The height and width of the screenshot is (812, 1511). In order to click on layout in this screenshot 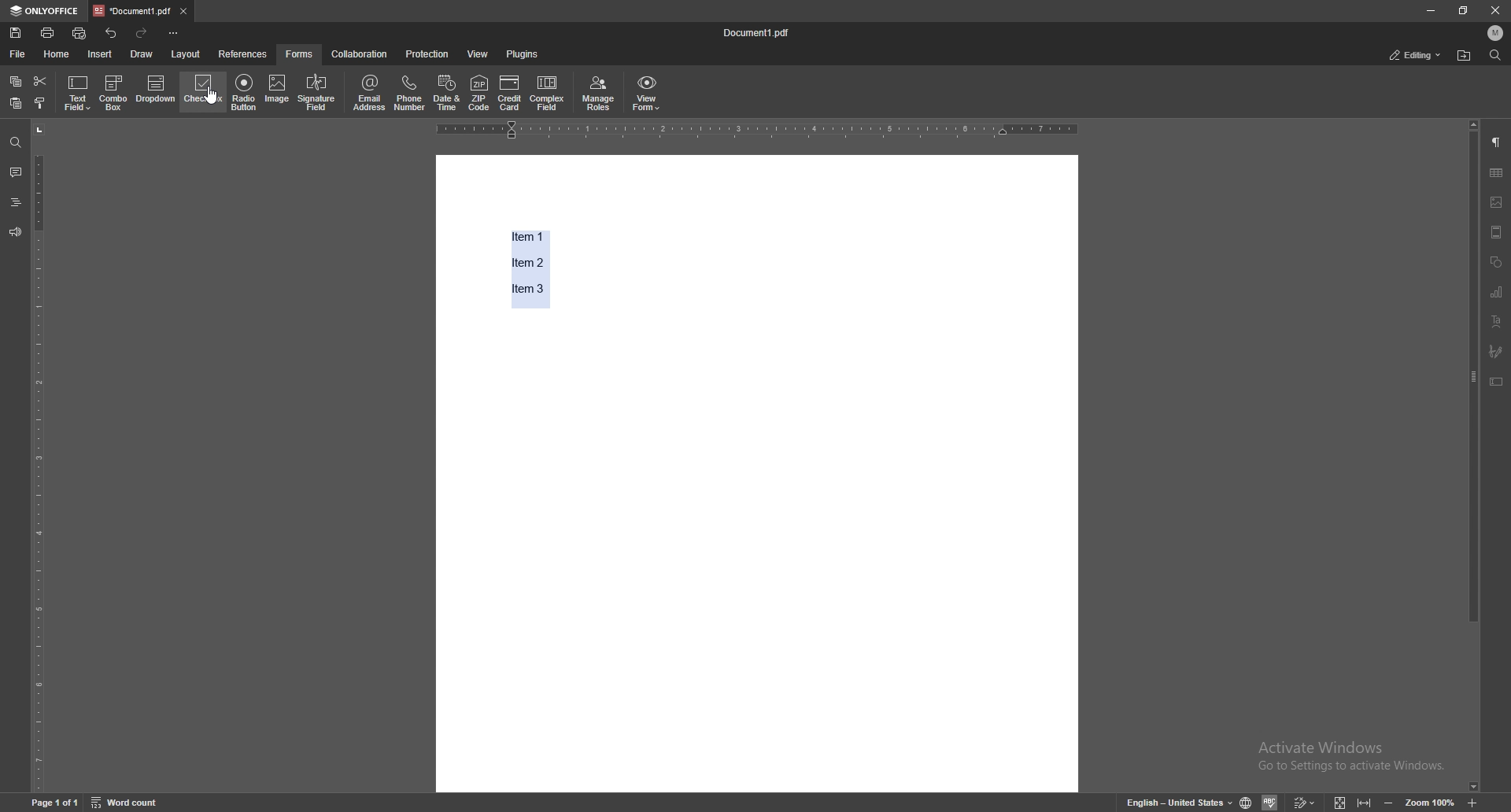, I will do `click(186, 54)`.